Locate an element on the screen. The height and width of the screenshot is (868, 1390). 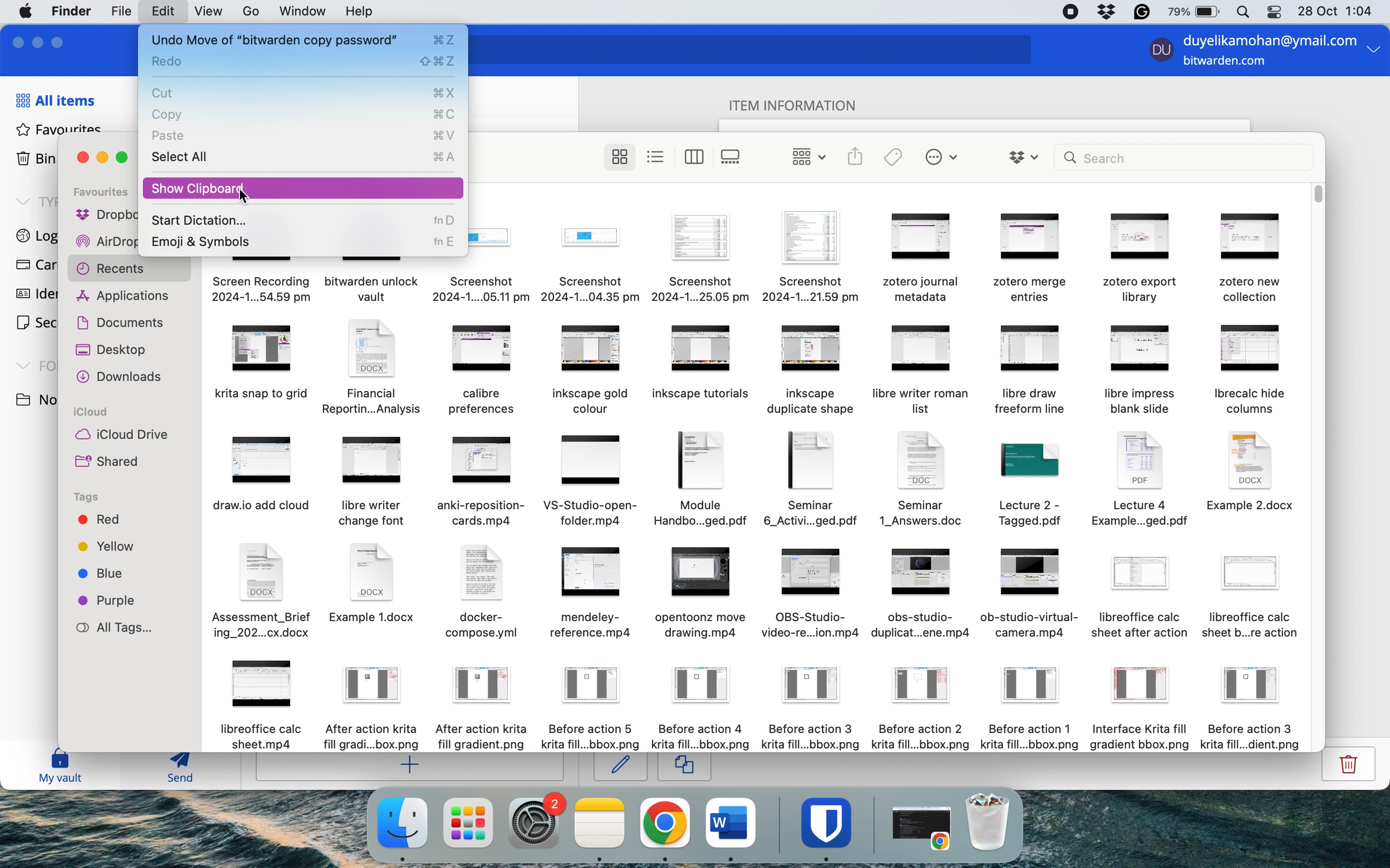
bitwarden is located at coordinates (830, 822).